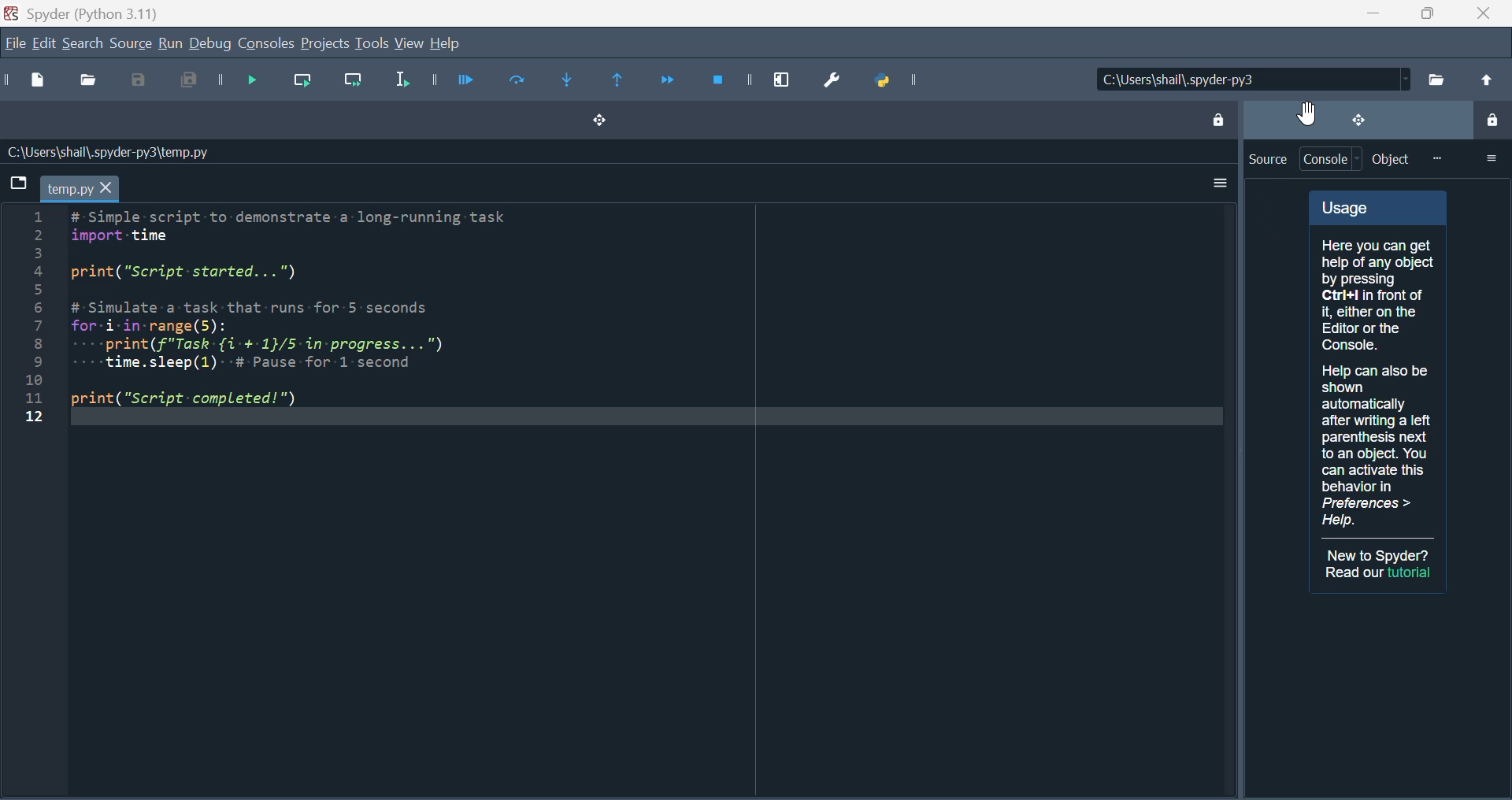 The width and height of the screenshot is (1512, 800). I want to click on Spyder, so click(95, 12).